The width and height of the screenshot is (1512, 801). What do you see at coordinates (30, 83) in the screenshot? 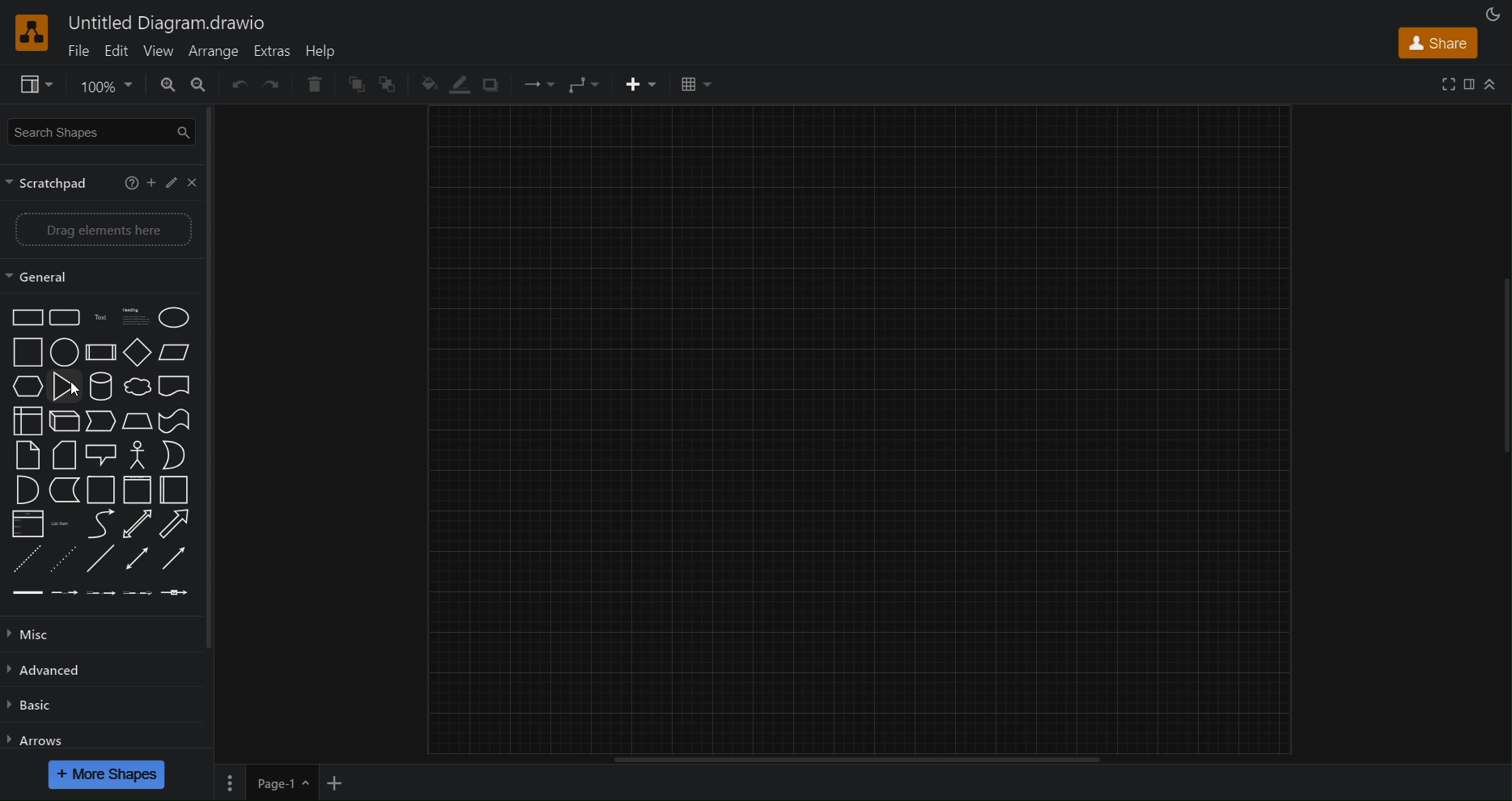
I see `View` at bounding box center [30, 83].